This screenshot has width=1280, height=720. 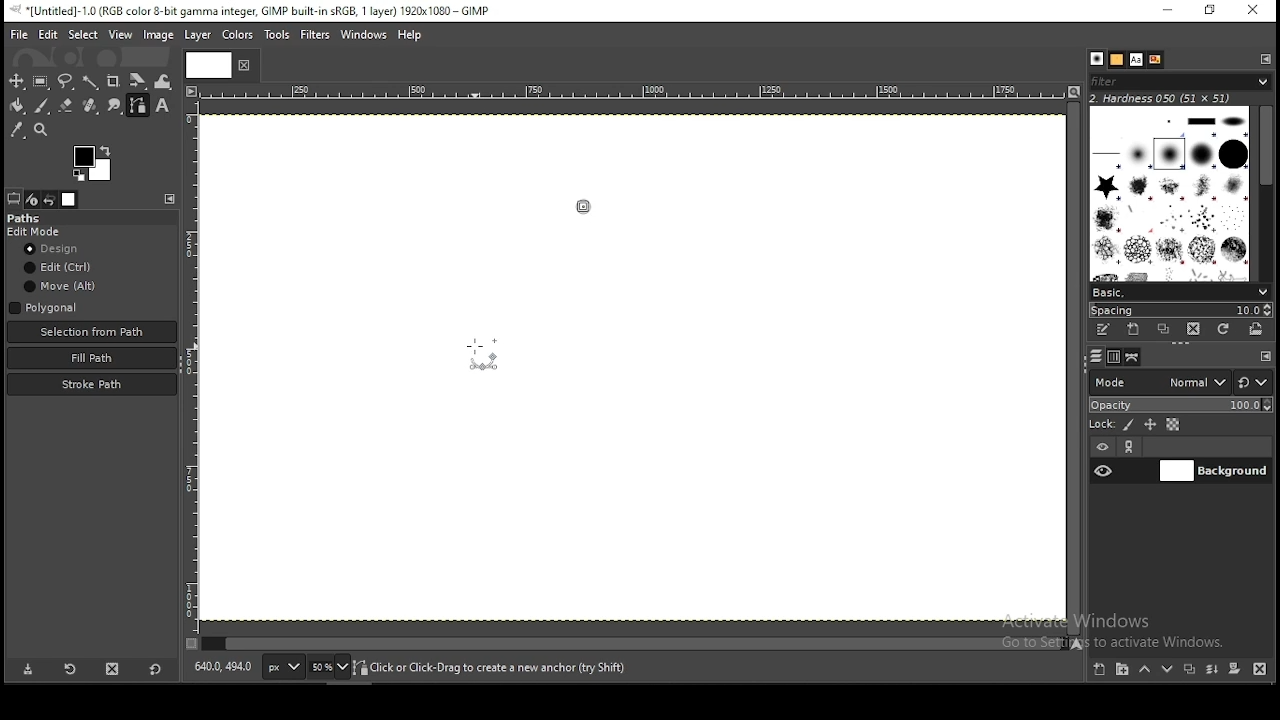 What do you see at coordinates (88, 162) in the screenshot?
I see `colors` at bounding box center [88, 162].